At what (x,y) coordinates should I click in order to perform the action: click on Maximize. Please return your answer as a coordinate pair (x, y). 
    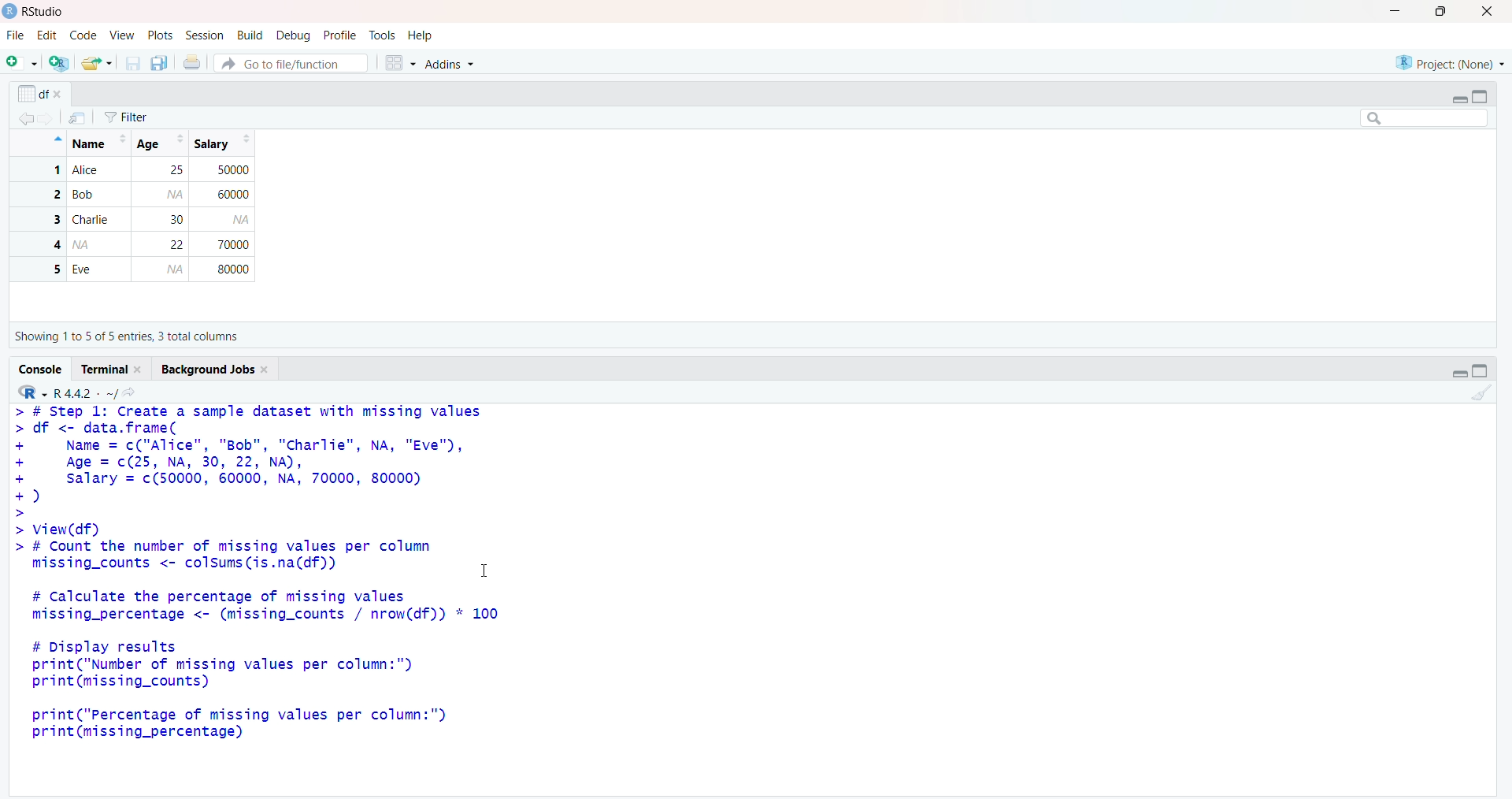
    Looking at the image, I should click on (1444, 12).